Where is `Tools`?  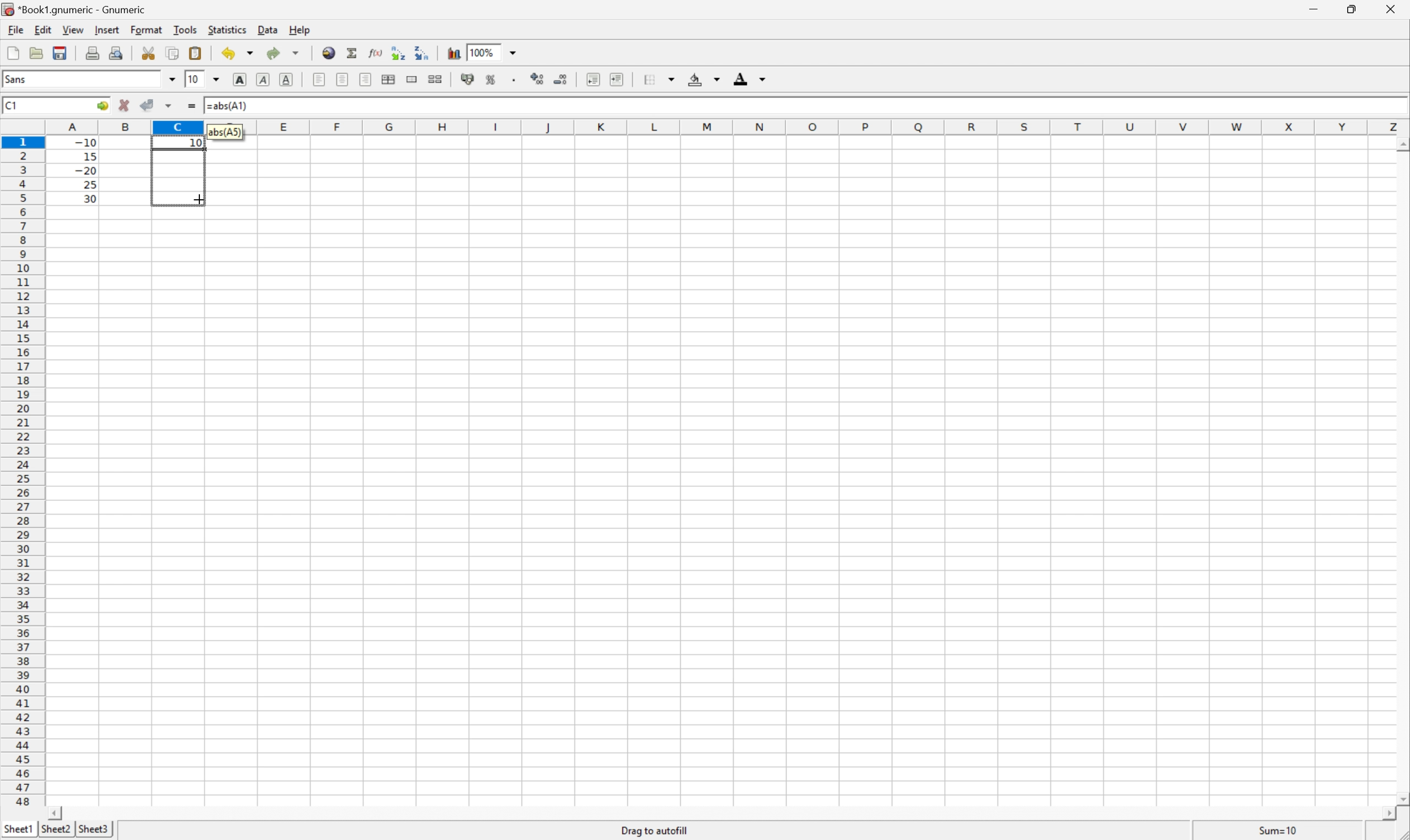 Tools is located at coordinates (186, 29).